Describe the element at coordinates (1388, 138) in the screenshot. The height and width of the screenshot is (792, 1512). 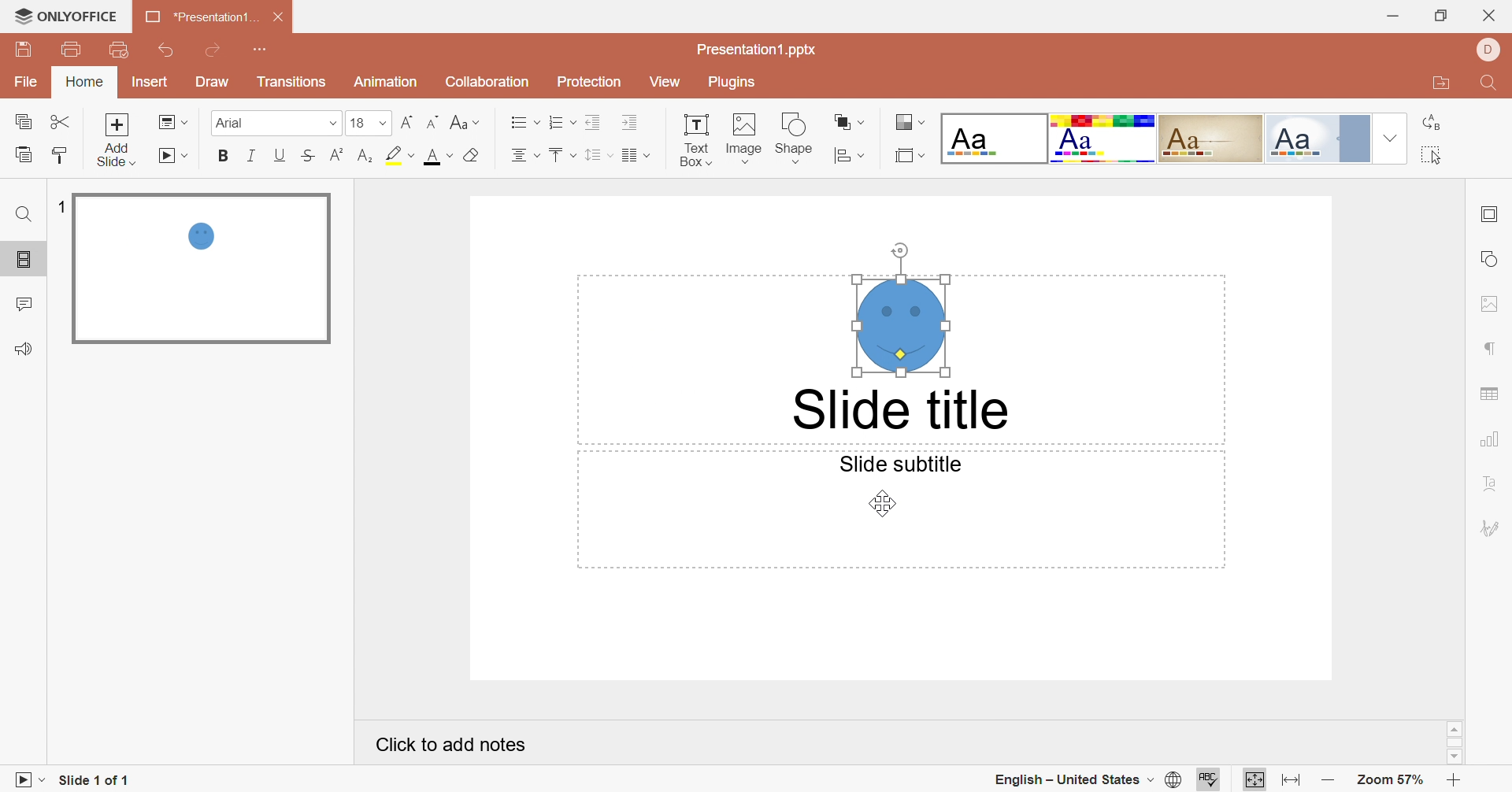
I see `Drop Down` at that location.